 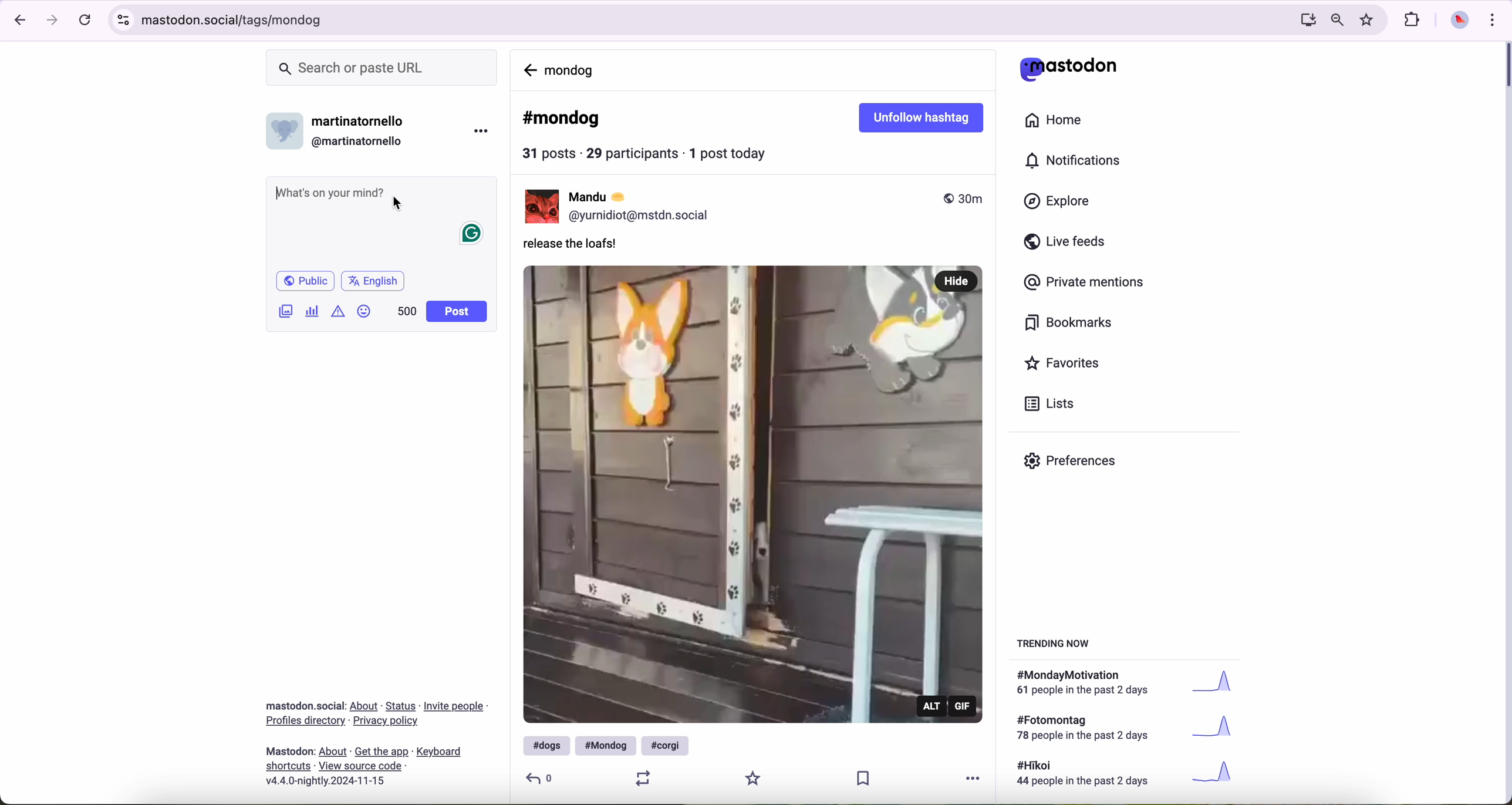 I want to click on link, so click(x=333, y=752).